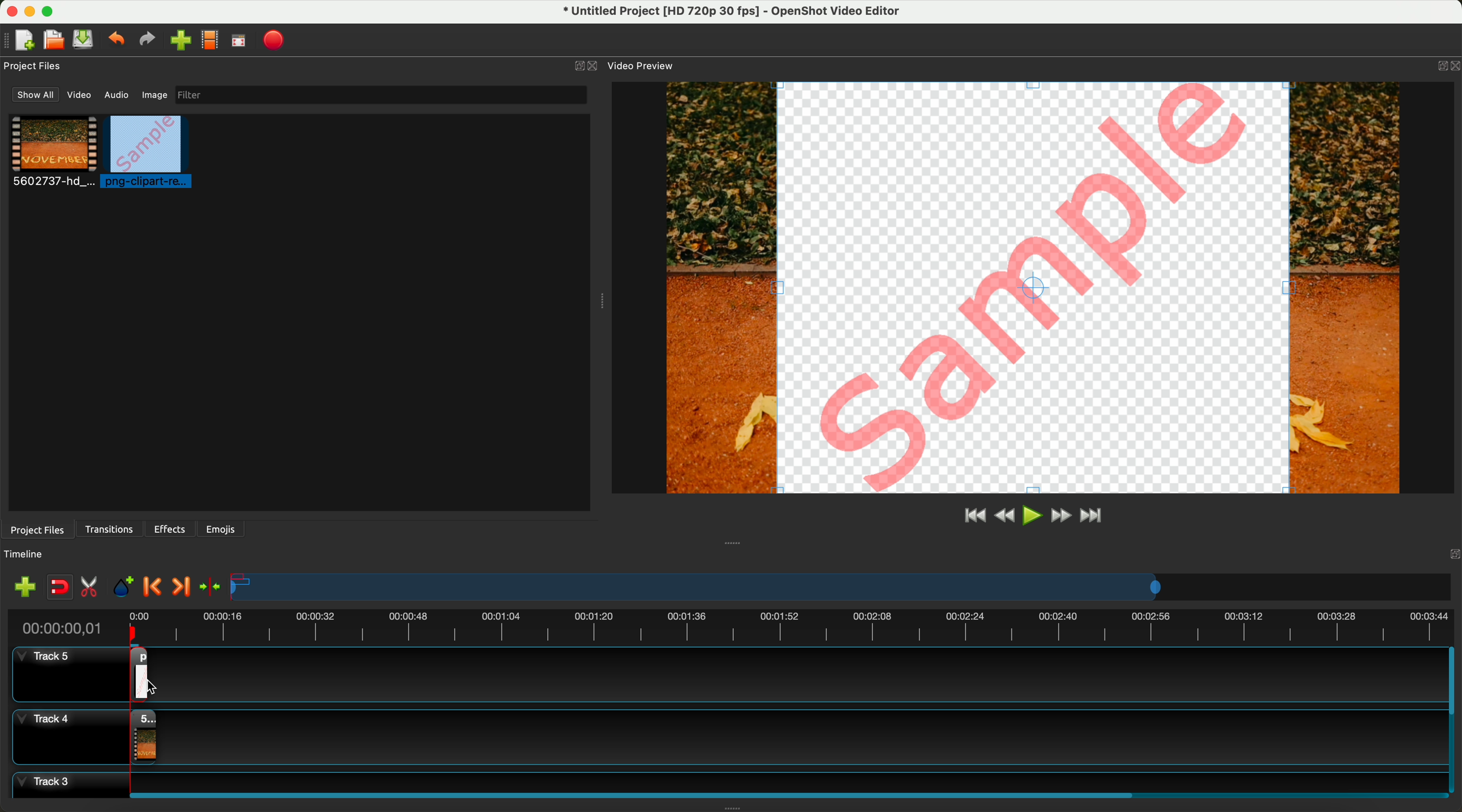 The image size is (1462, 812). What do you see at coordinates (640, 66) in the screenshot?
I see `video preview` at bounding box center [640, 66].